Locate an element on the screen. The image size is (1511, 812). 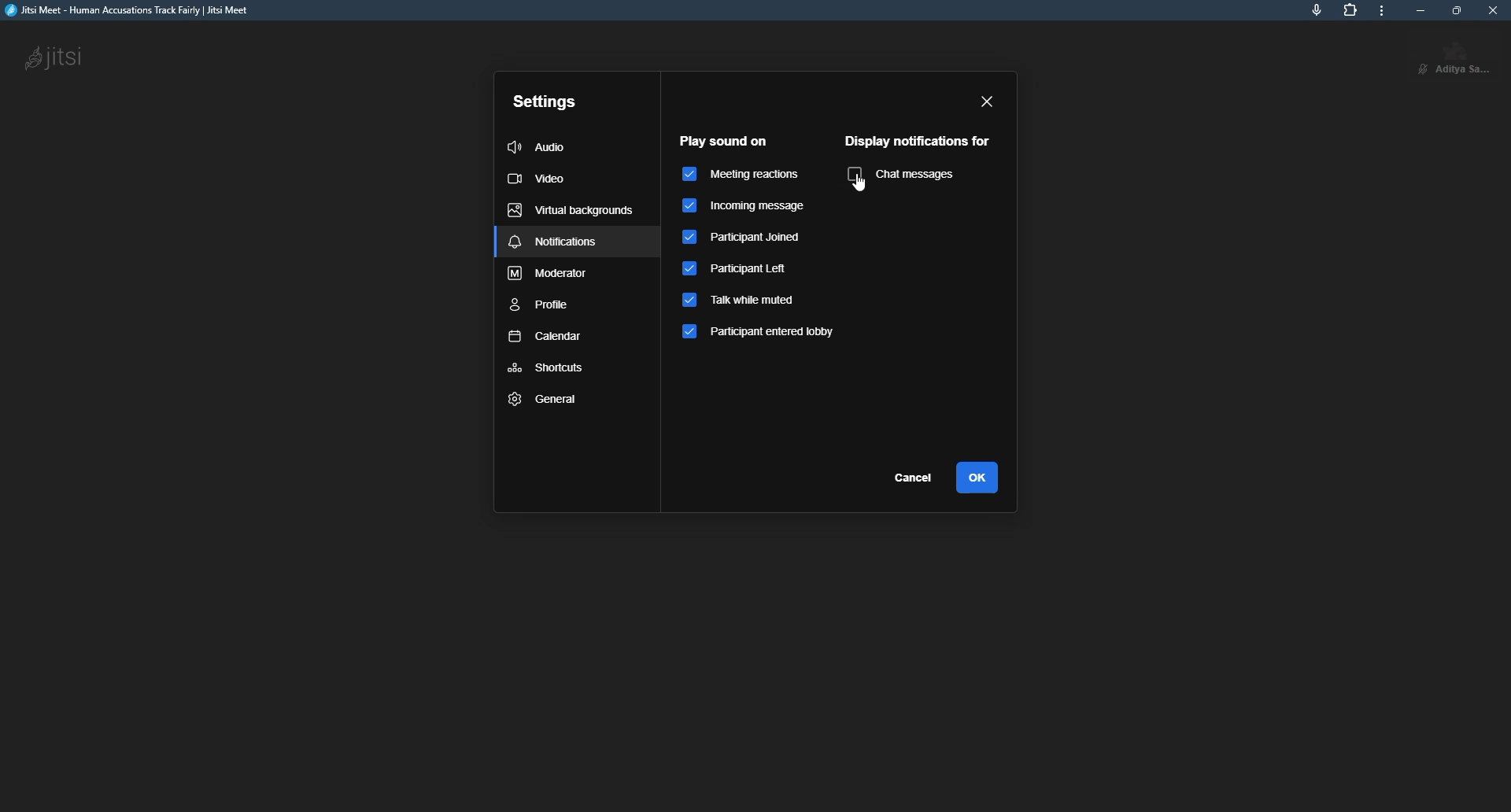
mic is located at coordinates (1316, 8).